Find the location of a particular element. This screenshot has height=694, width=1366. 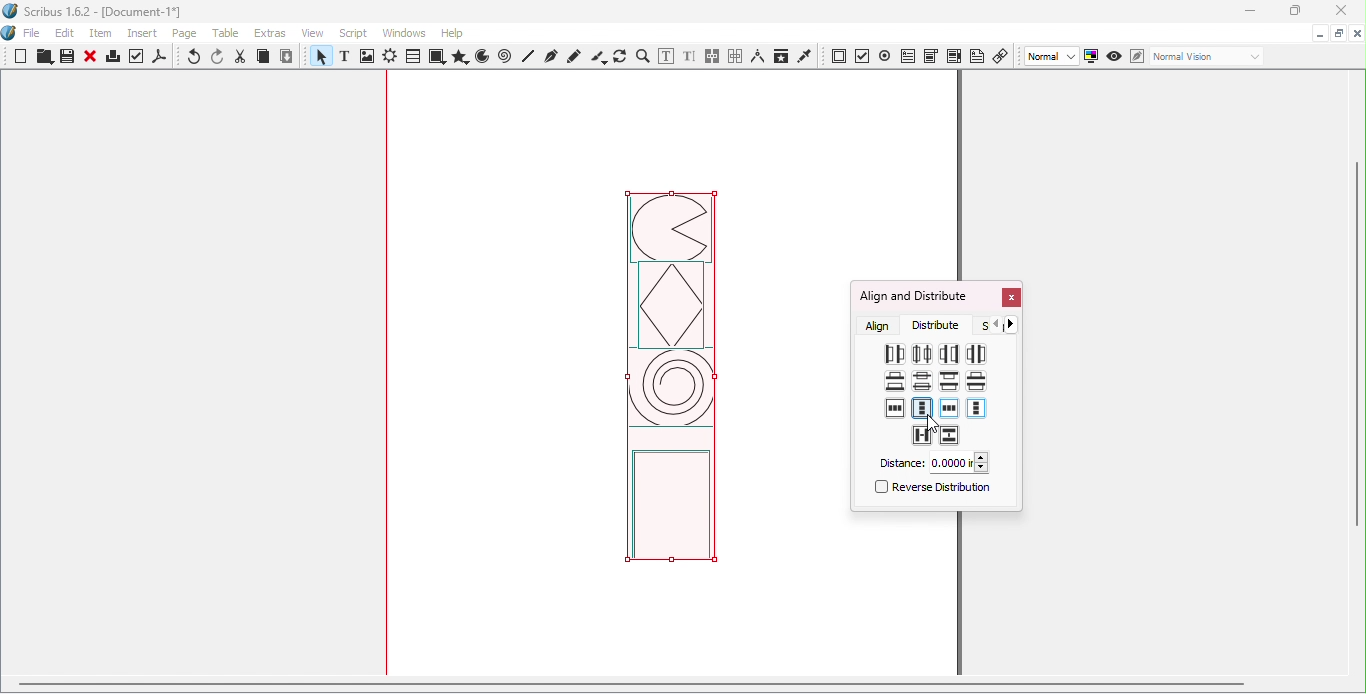

Table is located at coordinates (229, 34).